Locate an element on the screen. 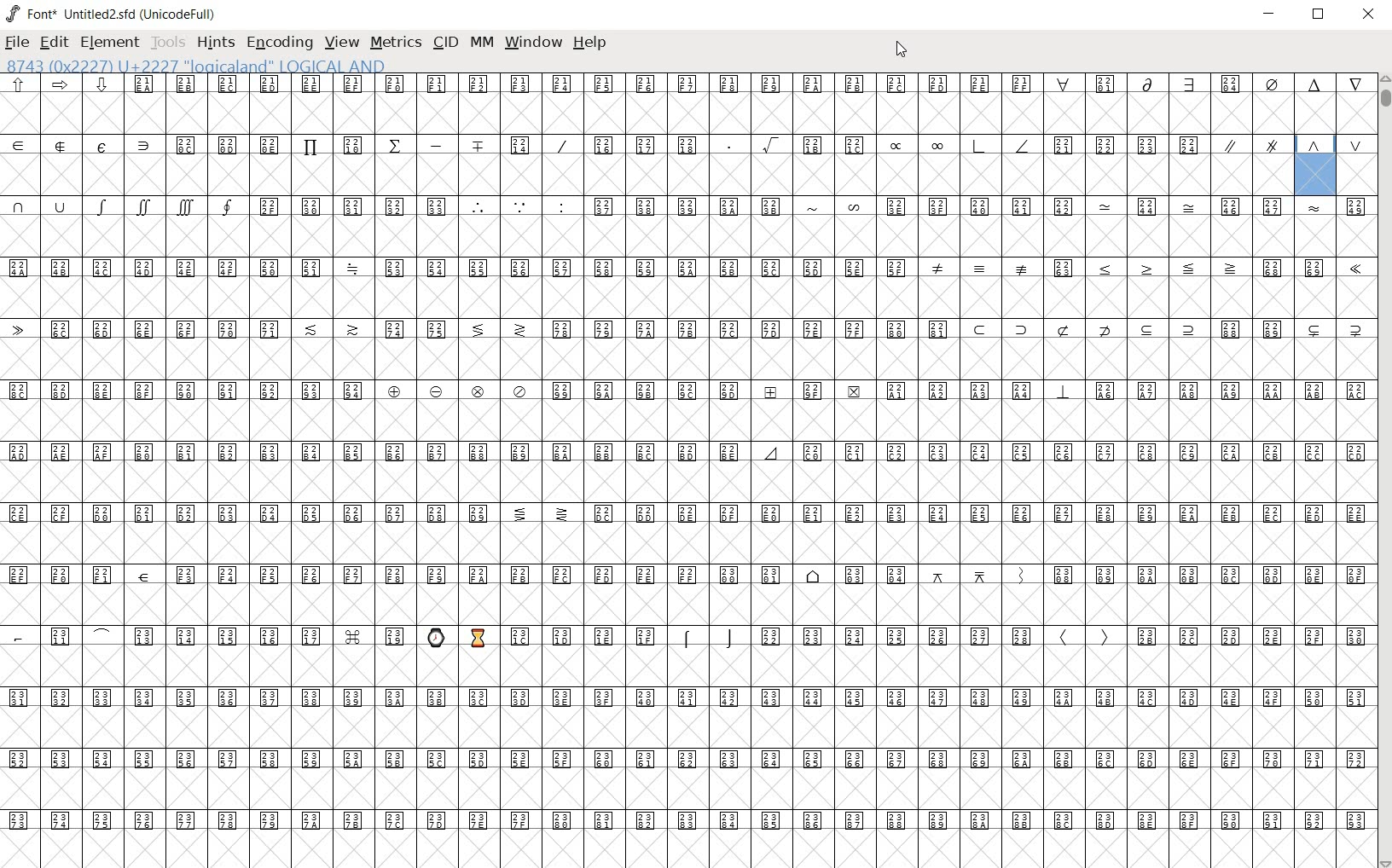  metrics is located at coordinates (396, 42).